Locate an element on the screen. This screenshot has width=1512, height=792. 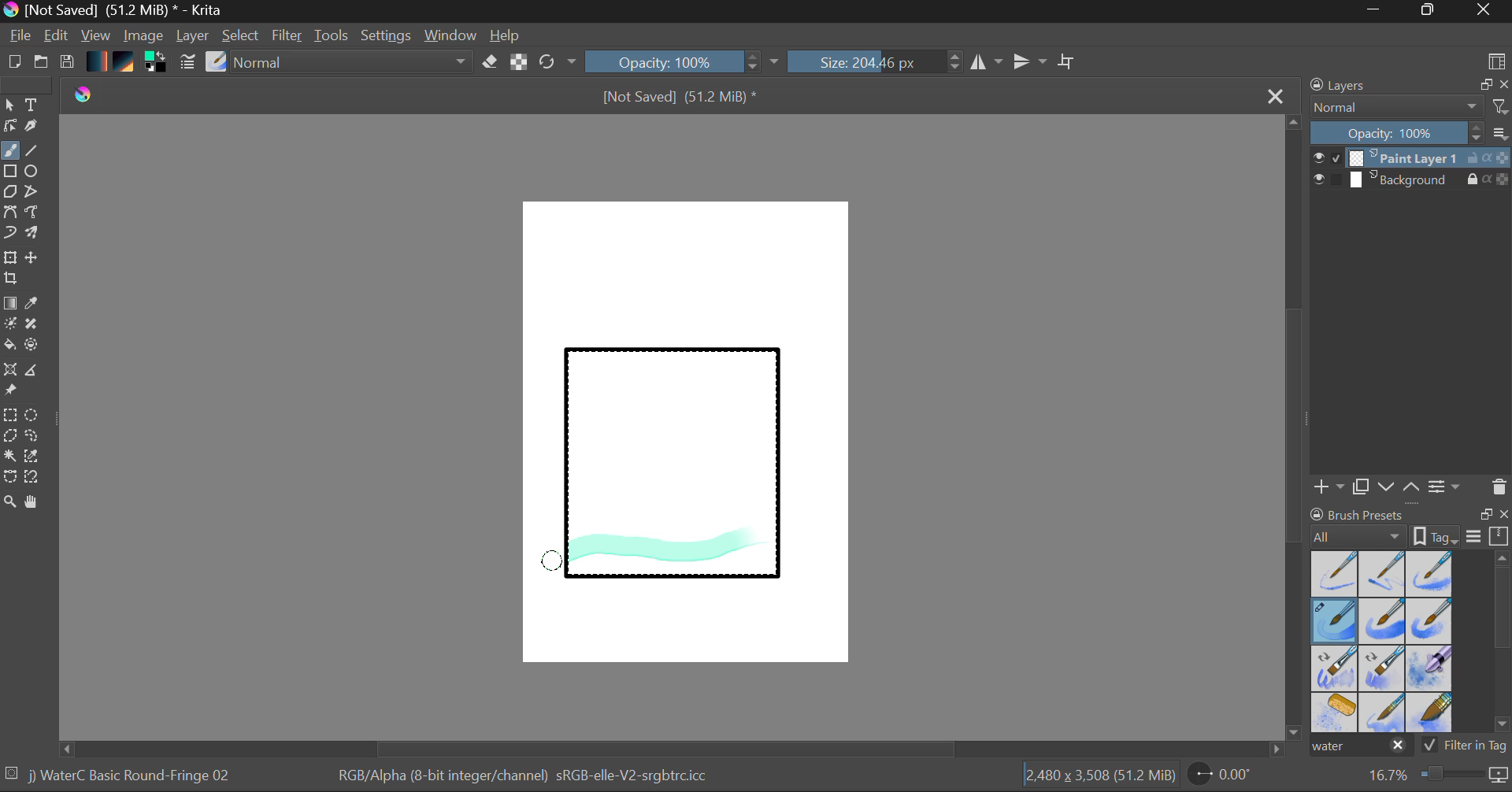
Lock Alpha is located at coordinates (517, 63).